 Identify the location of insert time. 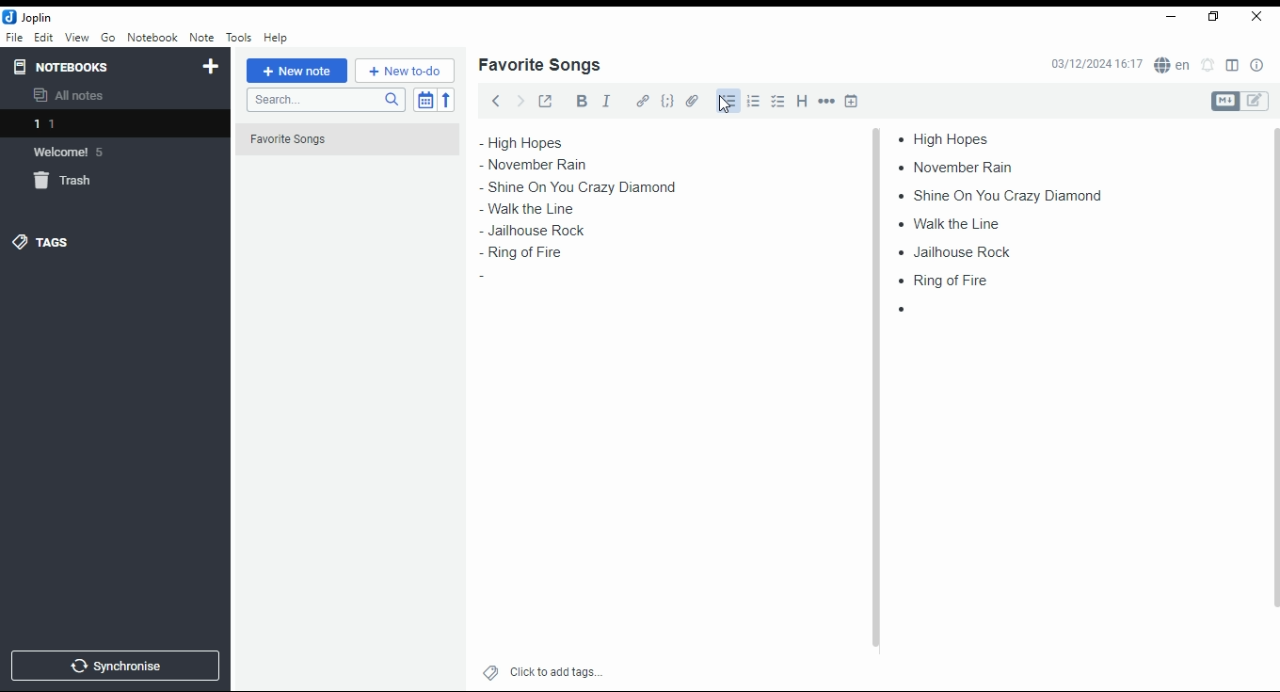
(852, 100).